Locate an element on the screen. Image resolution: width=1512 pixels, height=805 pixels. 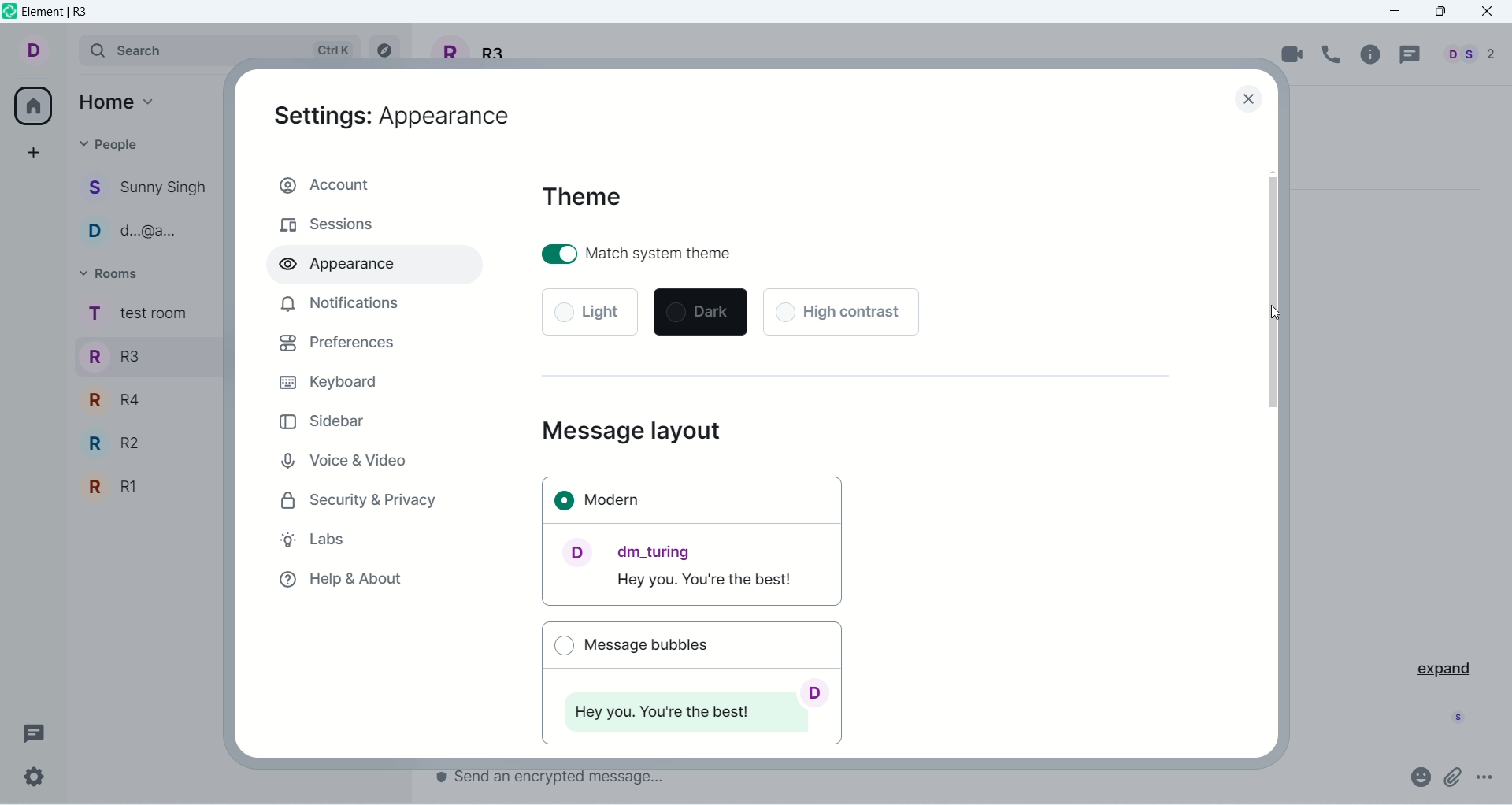
logo is located at coordinates (9, 14).